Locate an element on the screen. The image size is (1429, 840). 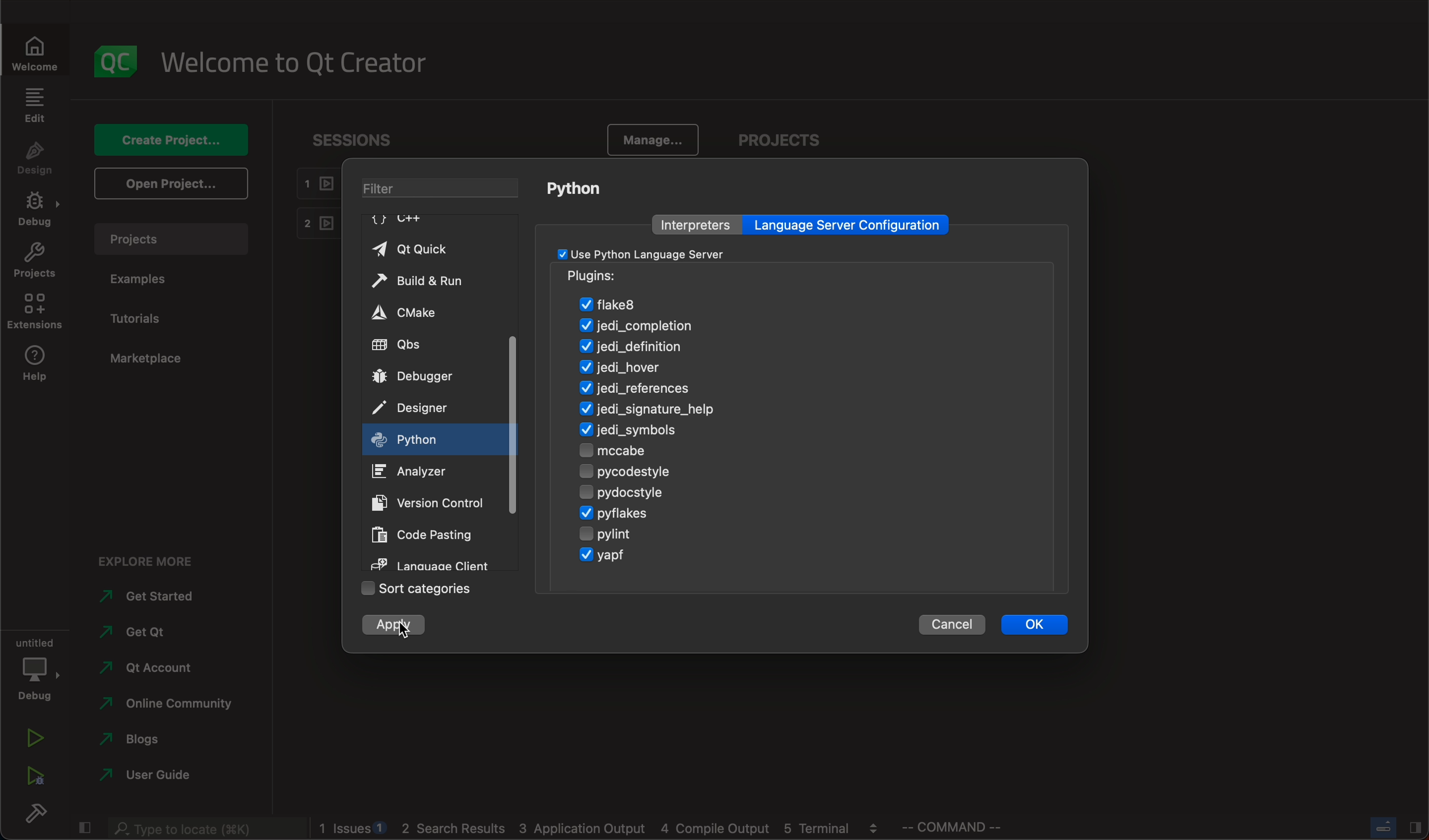
explore is located at coordinates (147, 563).